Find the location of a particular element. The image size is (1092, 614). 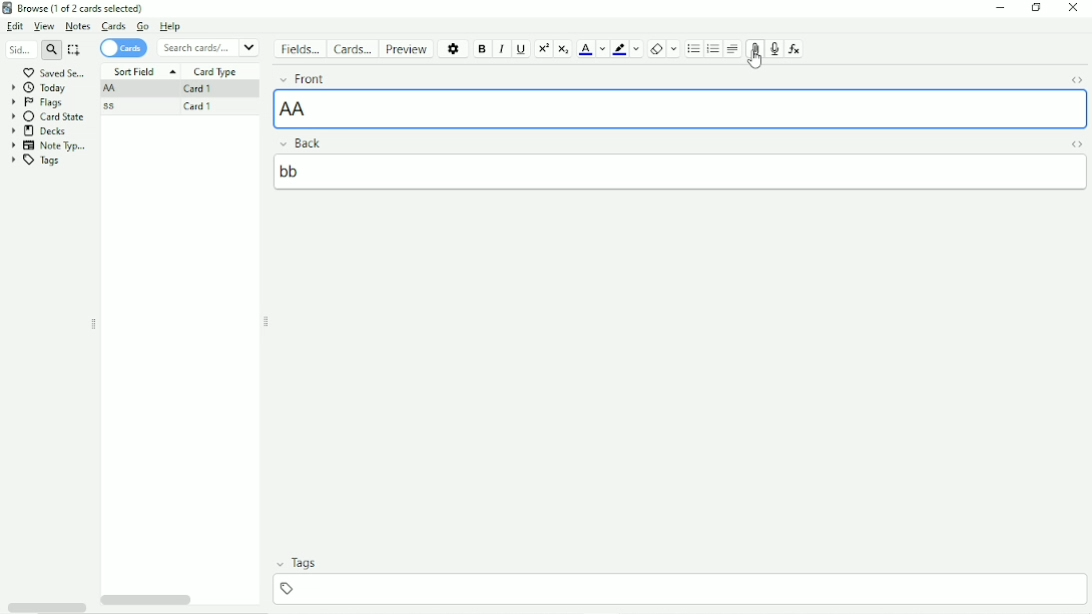

Cards is located at coordinates (112, 25).